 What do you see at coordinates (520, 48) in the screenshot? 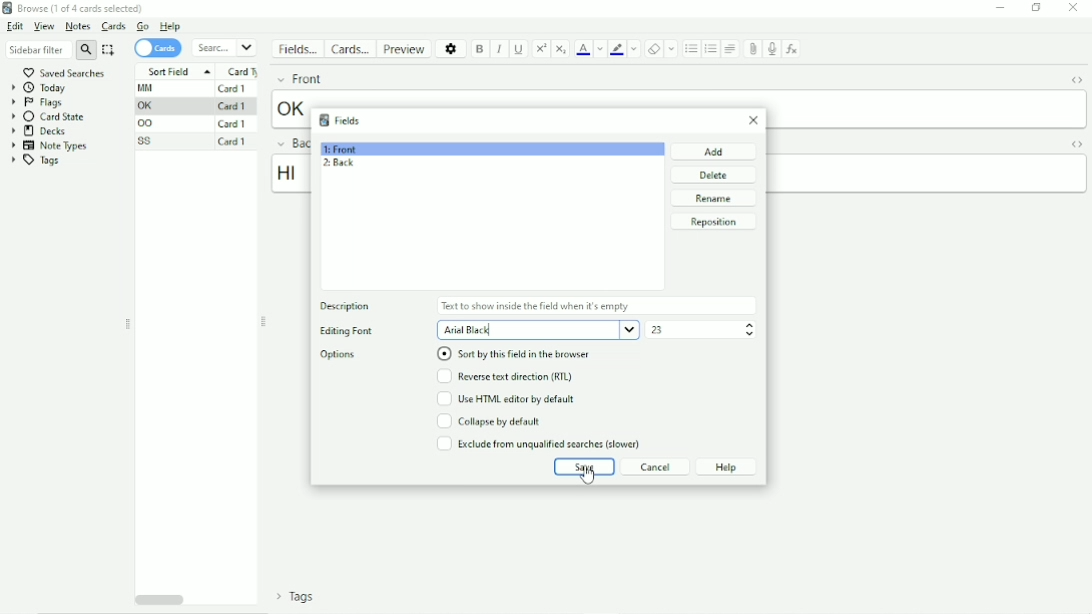
I see `Underline` at bounding box center [520, 48].